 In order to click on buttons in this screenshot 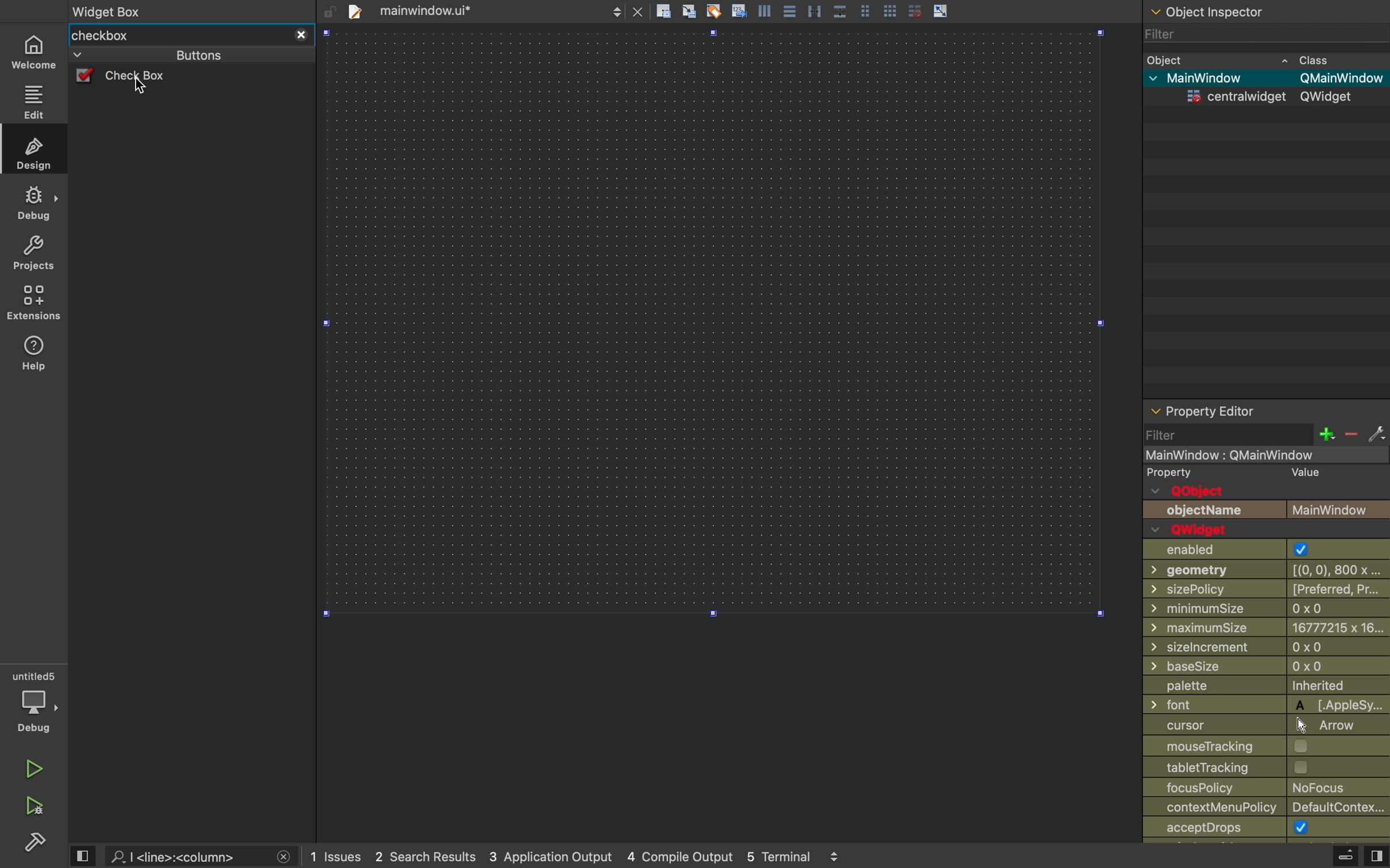, I will do `click(175, 55)`.